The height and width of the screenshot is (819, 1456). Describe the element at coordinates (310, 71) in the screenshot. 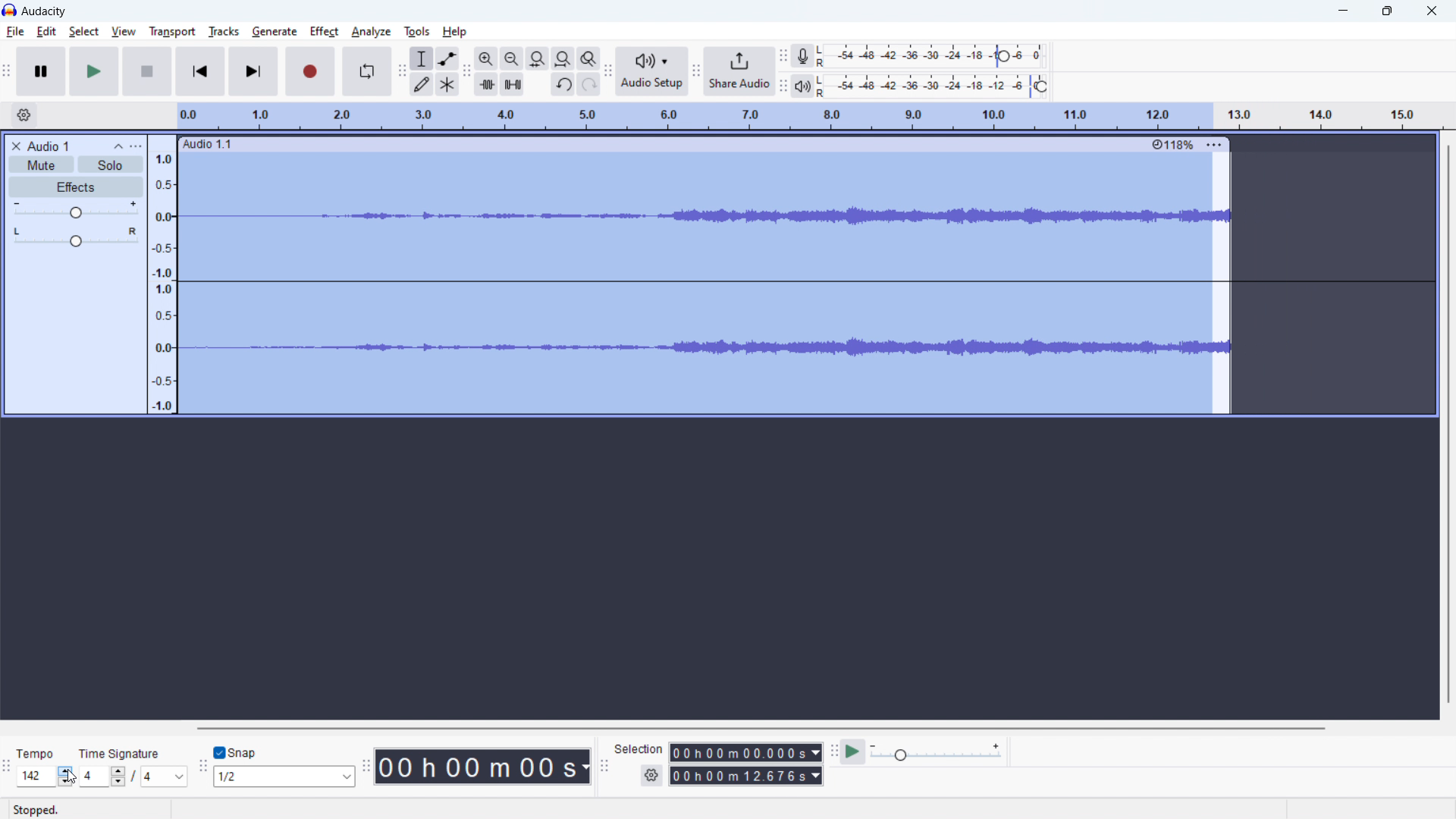

I see `record` at that location.